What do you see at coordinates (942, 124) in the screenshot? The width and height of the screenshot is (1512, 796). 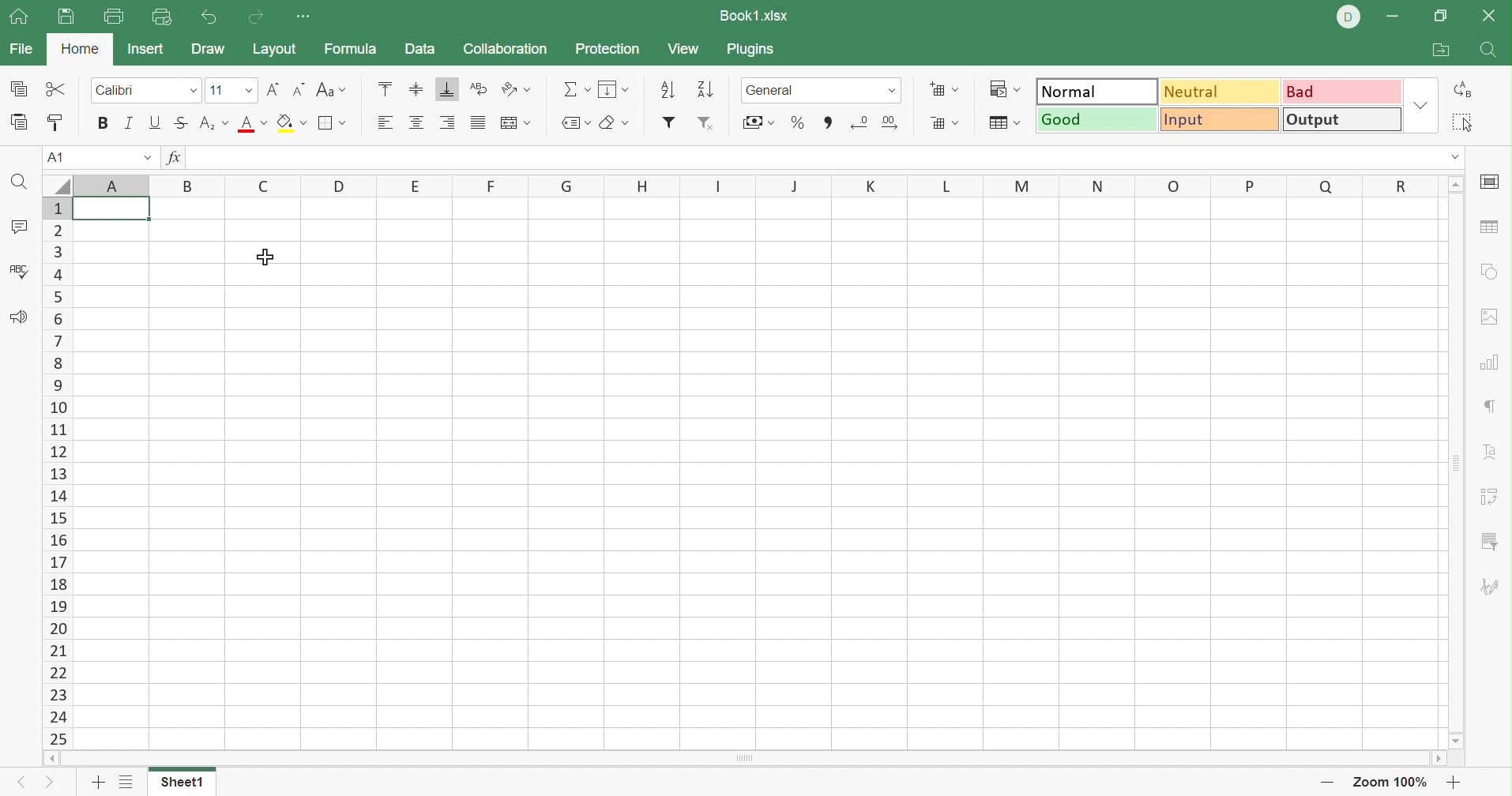 I see `Delete cell` at bounding box center [942, 124].